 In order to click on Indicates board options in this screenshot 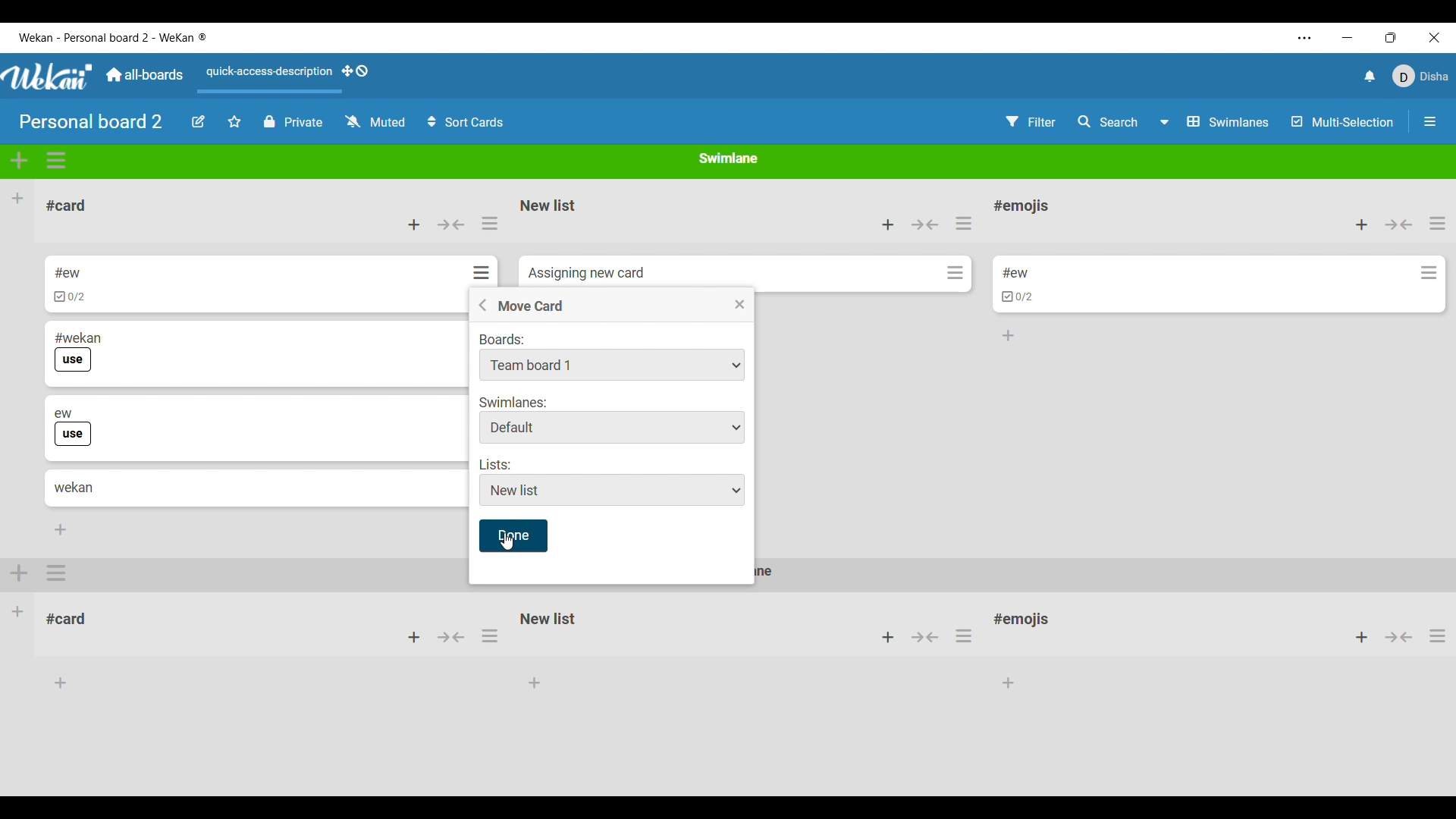, I will do `click(503, 338)`.